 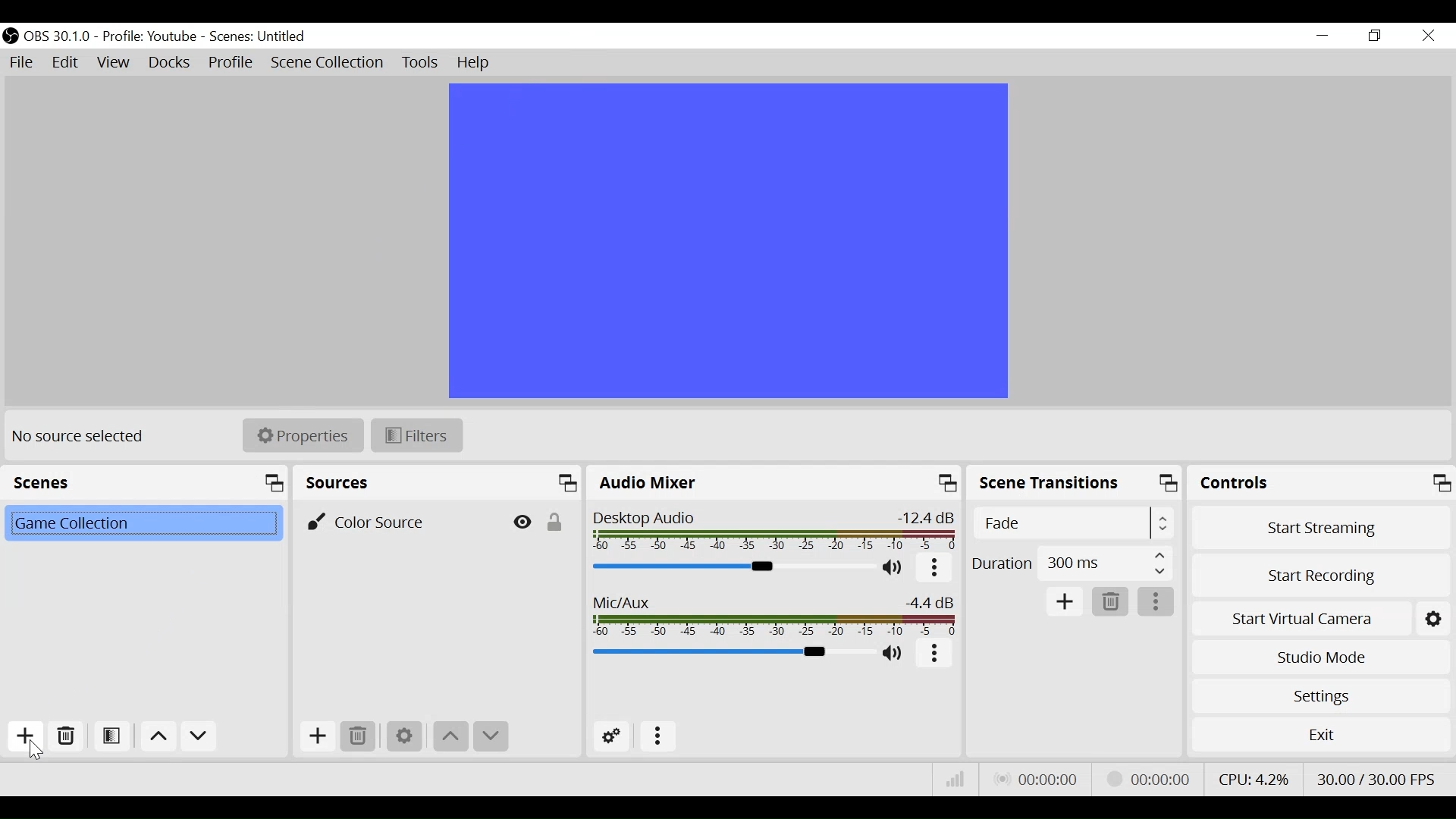 I want to click on Desktop Audio Slider, so click(x=735, y=567).